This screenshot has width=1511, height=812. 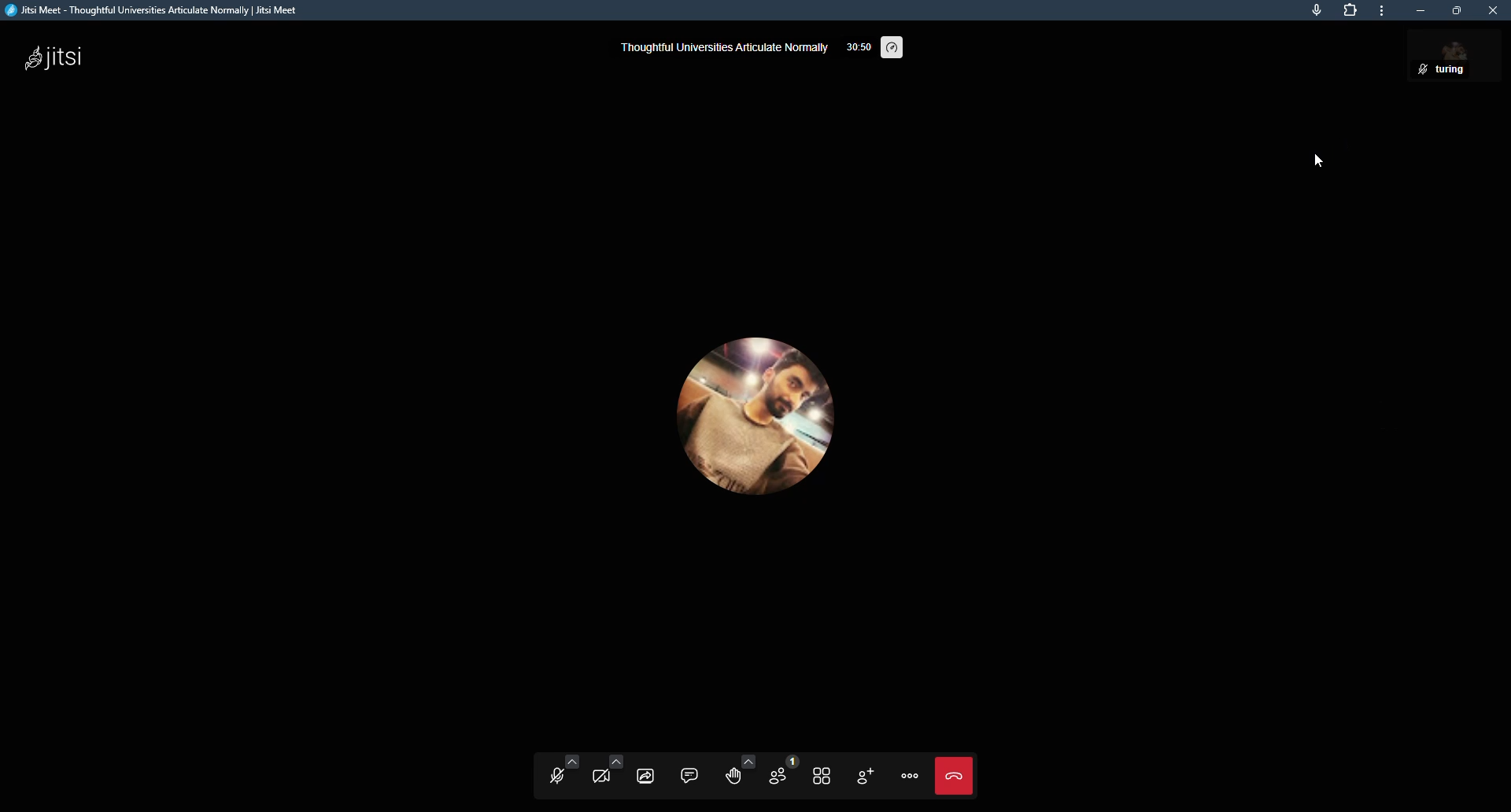 I want to click on maximize, so click(x=1457, y=12).